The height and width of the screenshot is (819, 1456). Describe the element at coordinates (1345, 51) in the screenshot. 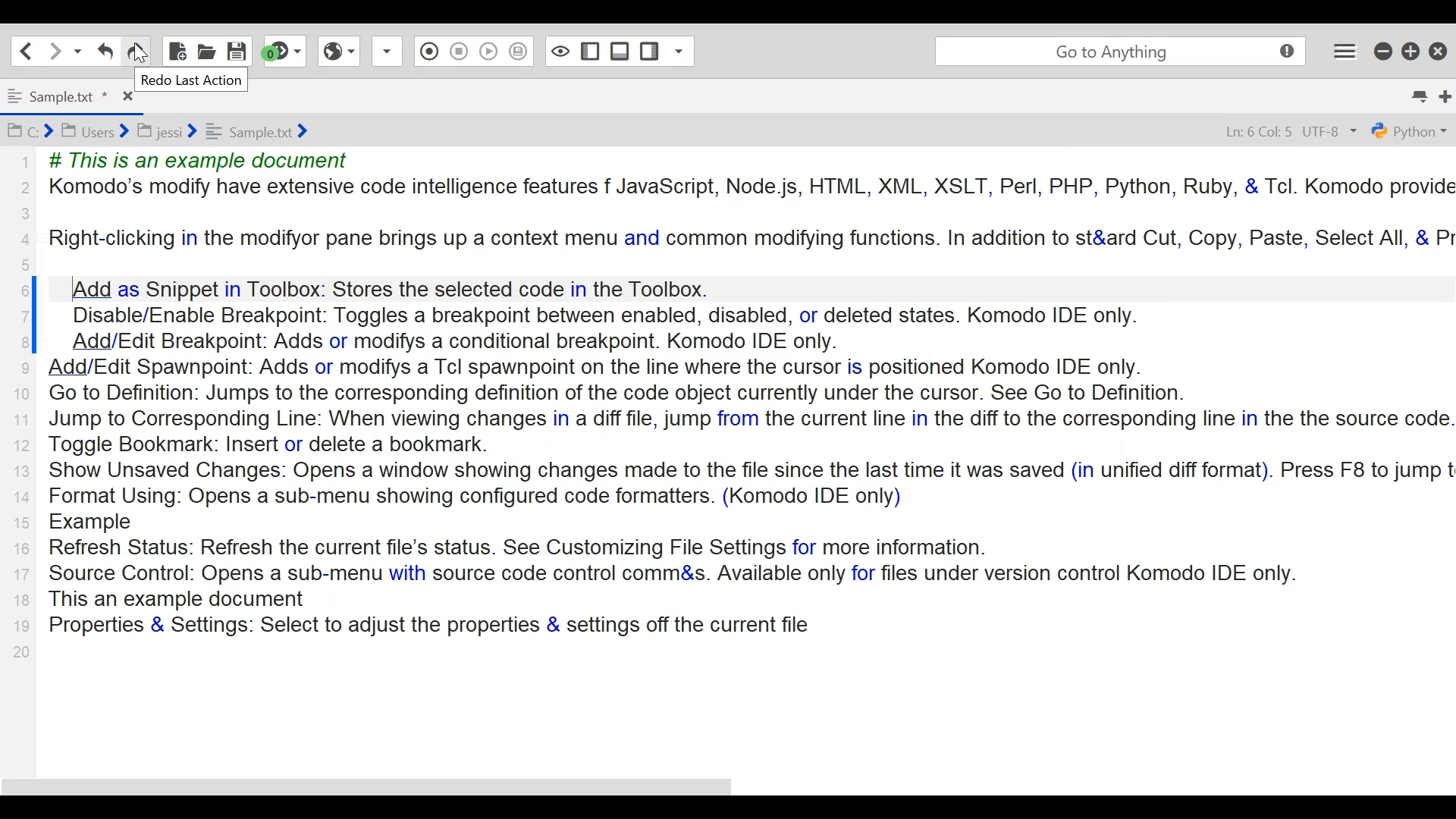

I see `Application menu` at that location.